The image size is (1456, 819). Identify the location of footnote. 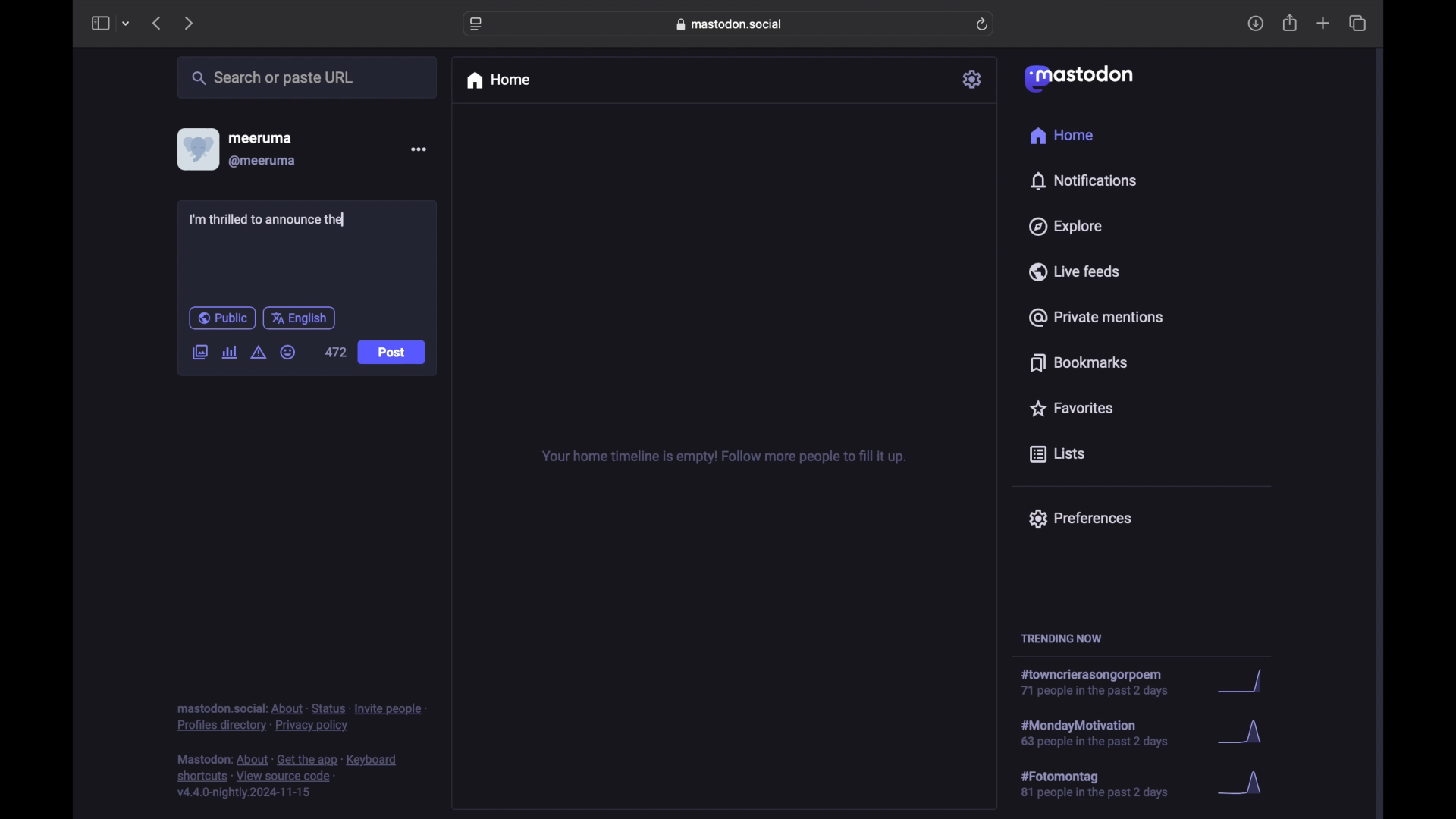
(301, 718).